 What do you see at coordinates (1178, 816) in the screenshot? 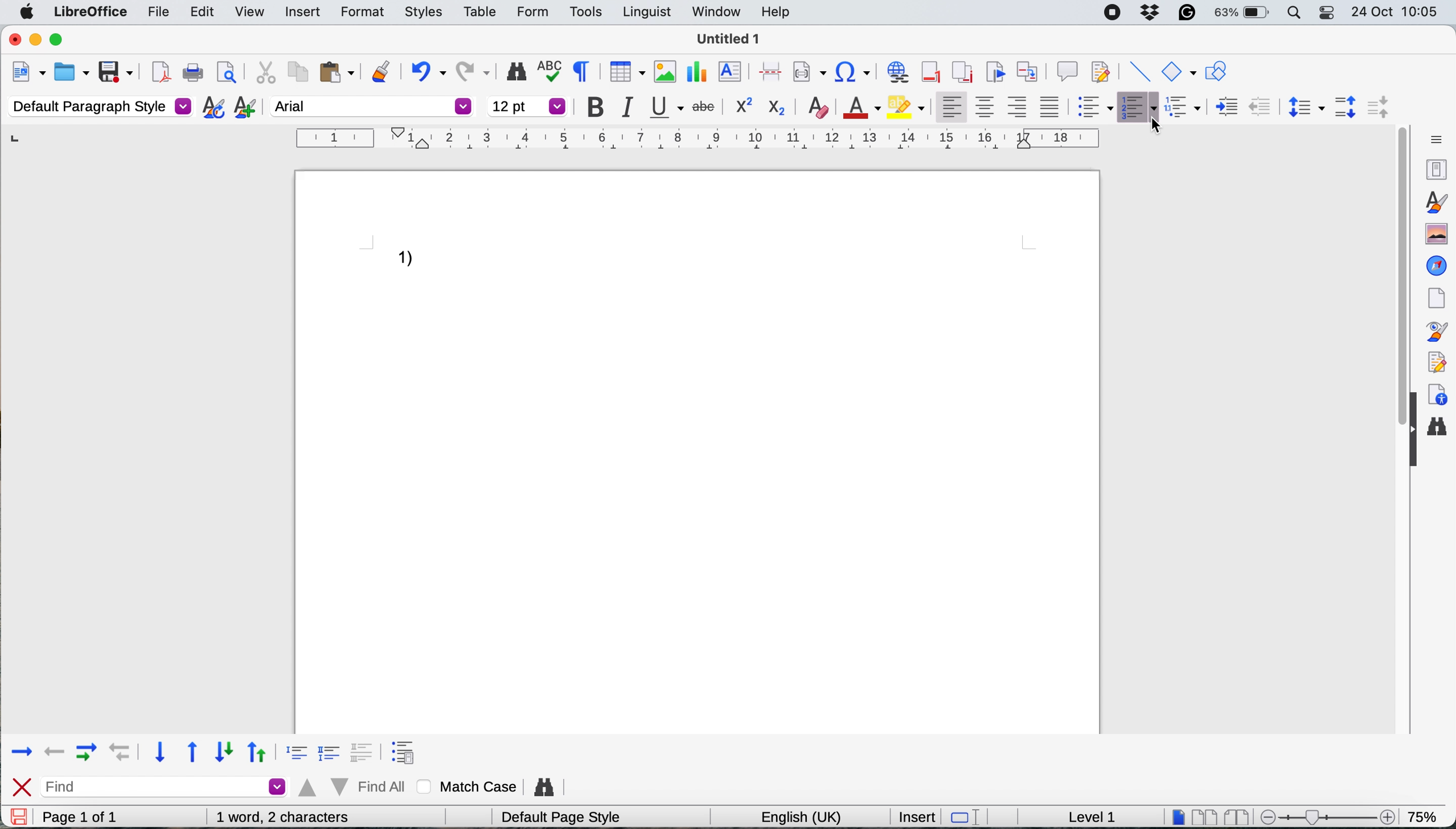
I see `single page view` at bounding box center [1178, 816].